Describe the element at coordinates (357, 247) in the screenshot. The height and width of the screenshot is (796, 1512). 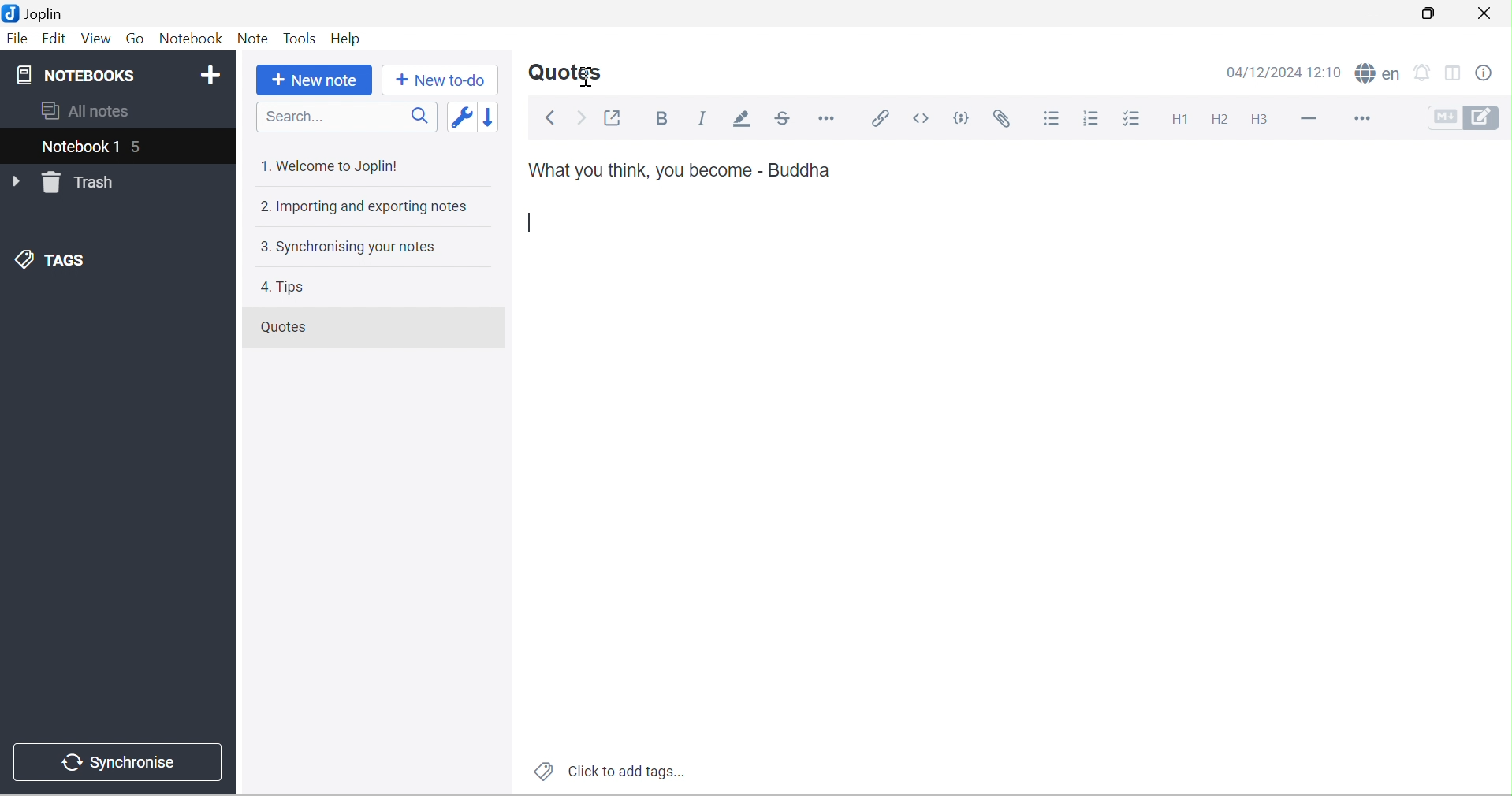
I see `3. Synchronising your notes` at that location.